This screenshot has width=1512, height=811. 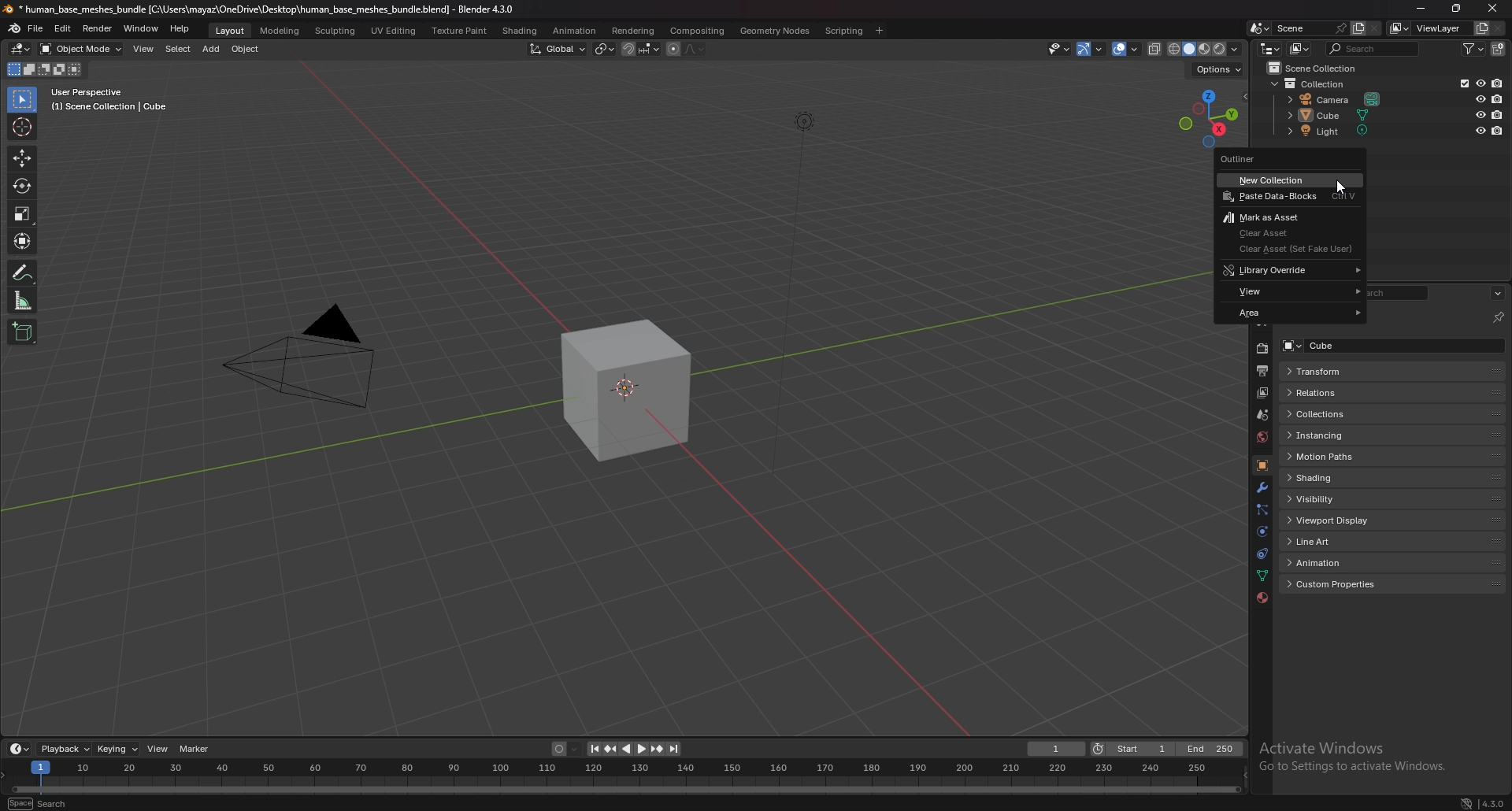 What do you see at coordinates (605, 49) in the screenshot?
I see `transform pivot point` at bounding box center [605, 49].